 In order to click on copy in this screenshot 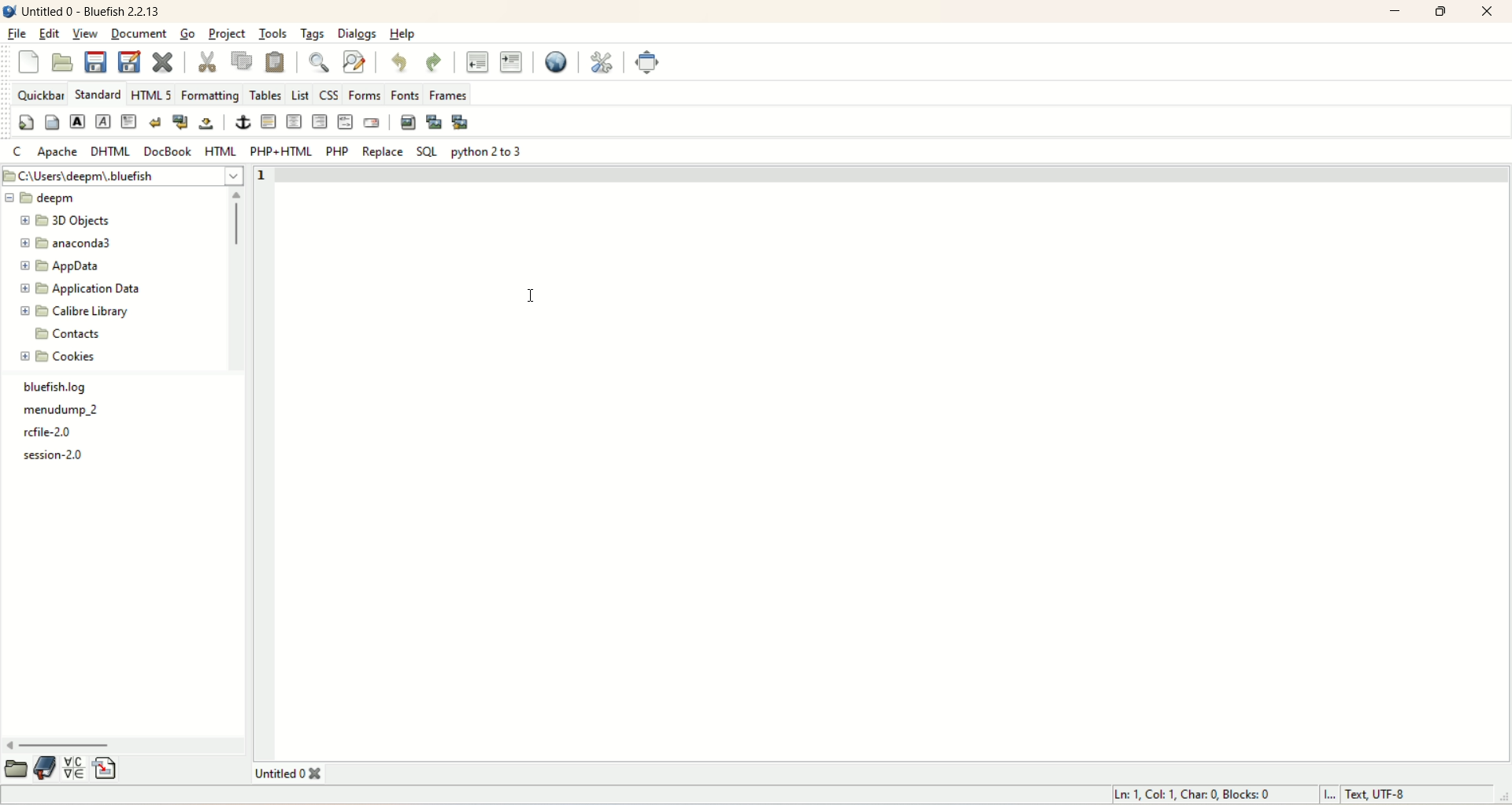, I will do `click(242, 61)`.